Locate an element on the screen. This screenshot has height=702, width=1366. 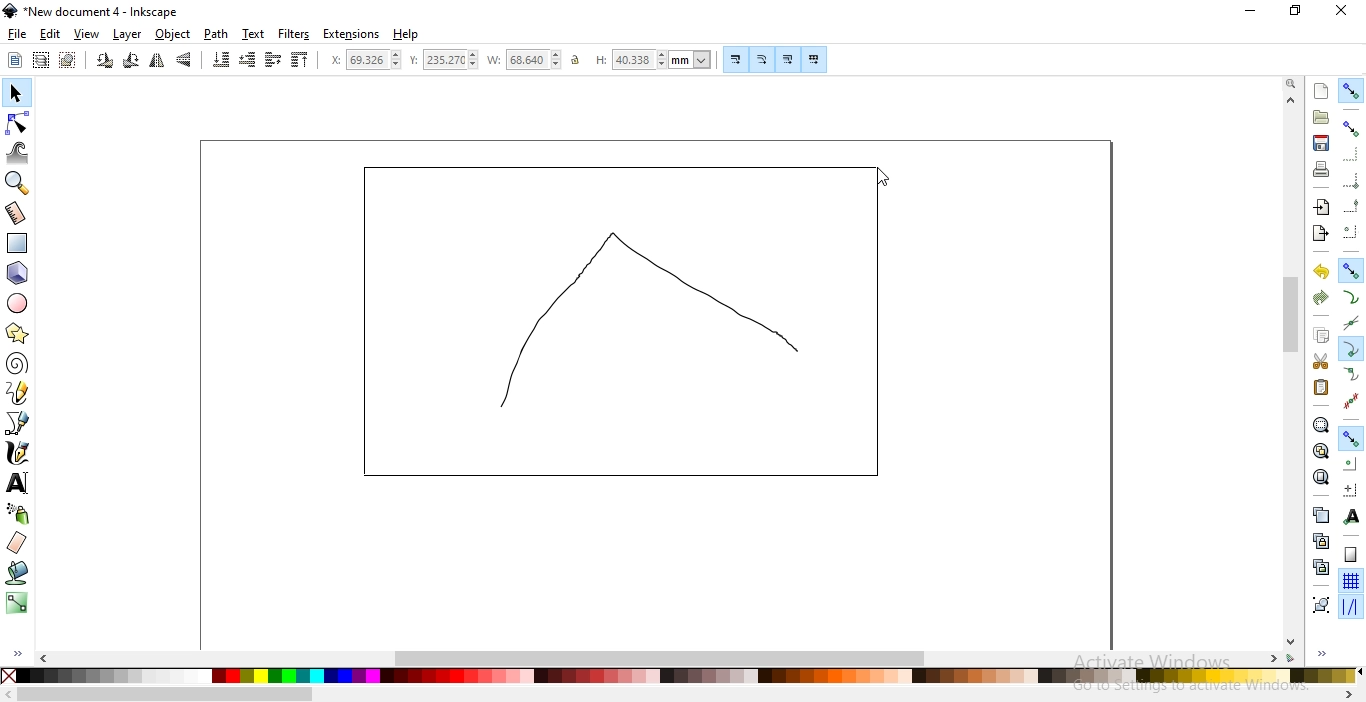
snap bounding boxes is located at coordinates (1351, 127).